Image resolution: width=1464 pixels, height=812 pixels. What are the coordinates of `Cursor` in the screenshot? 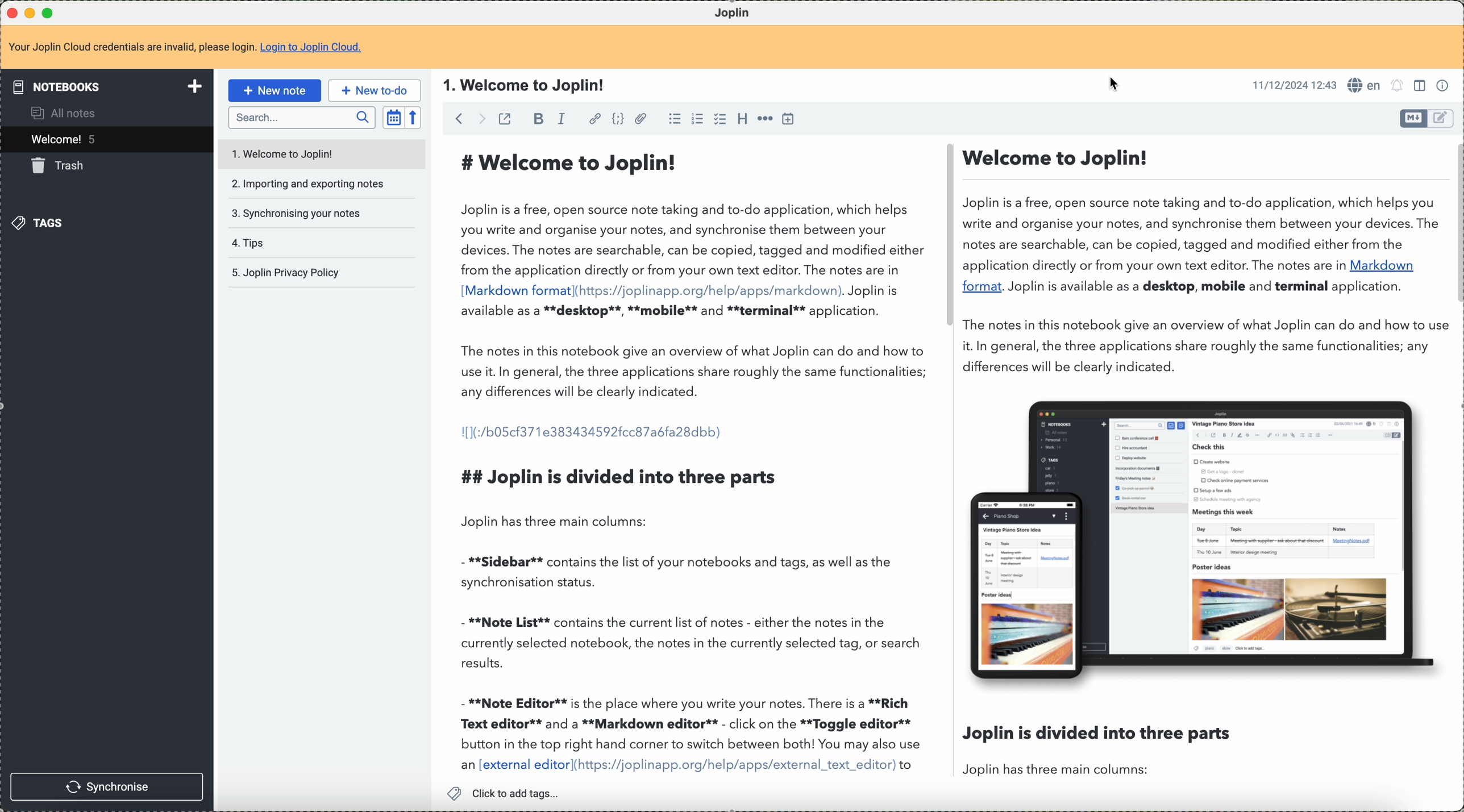 It's located at (1116, 85).